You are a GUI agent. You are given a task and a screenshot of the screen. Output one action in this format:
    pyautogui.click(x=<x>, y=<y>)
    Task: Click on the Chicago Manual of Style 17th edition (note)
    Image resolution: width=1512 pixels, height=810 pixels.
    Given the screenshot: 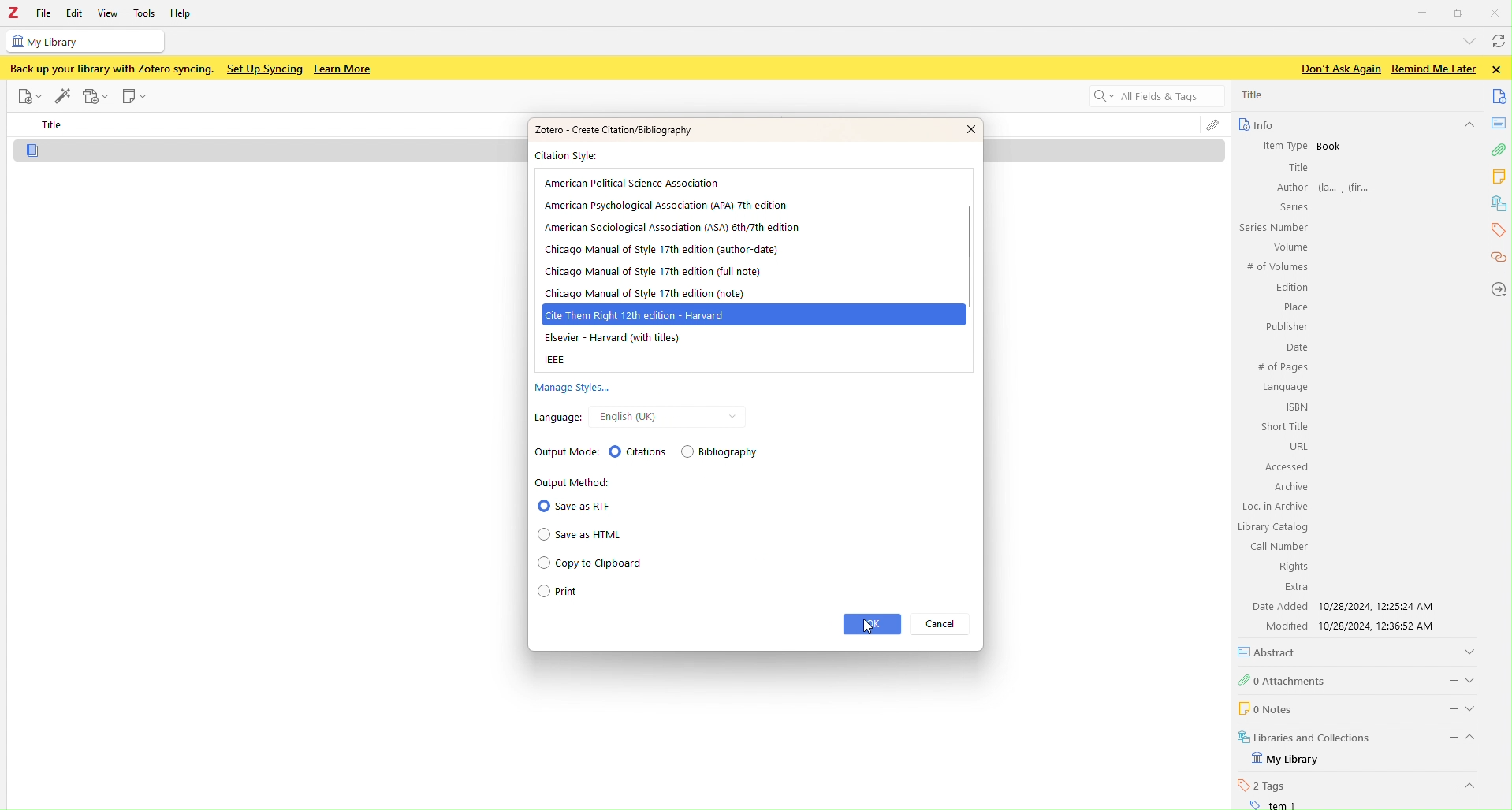 What is the action you would take?
    pyautogui.click(x=643, y=294)
    